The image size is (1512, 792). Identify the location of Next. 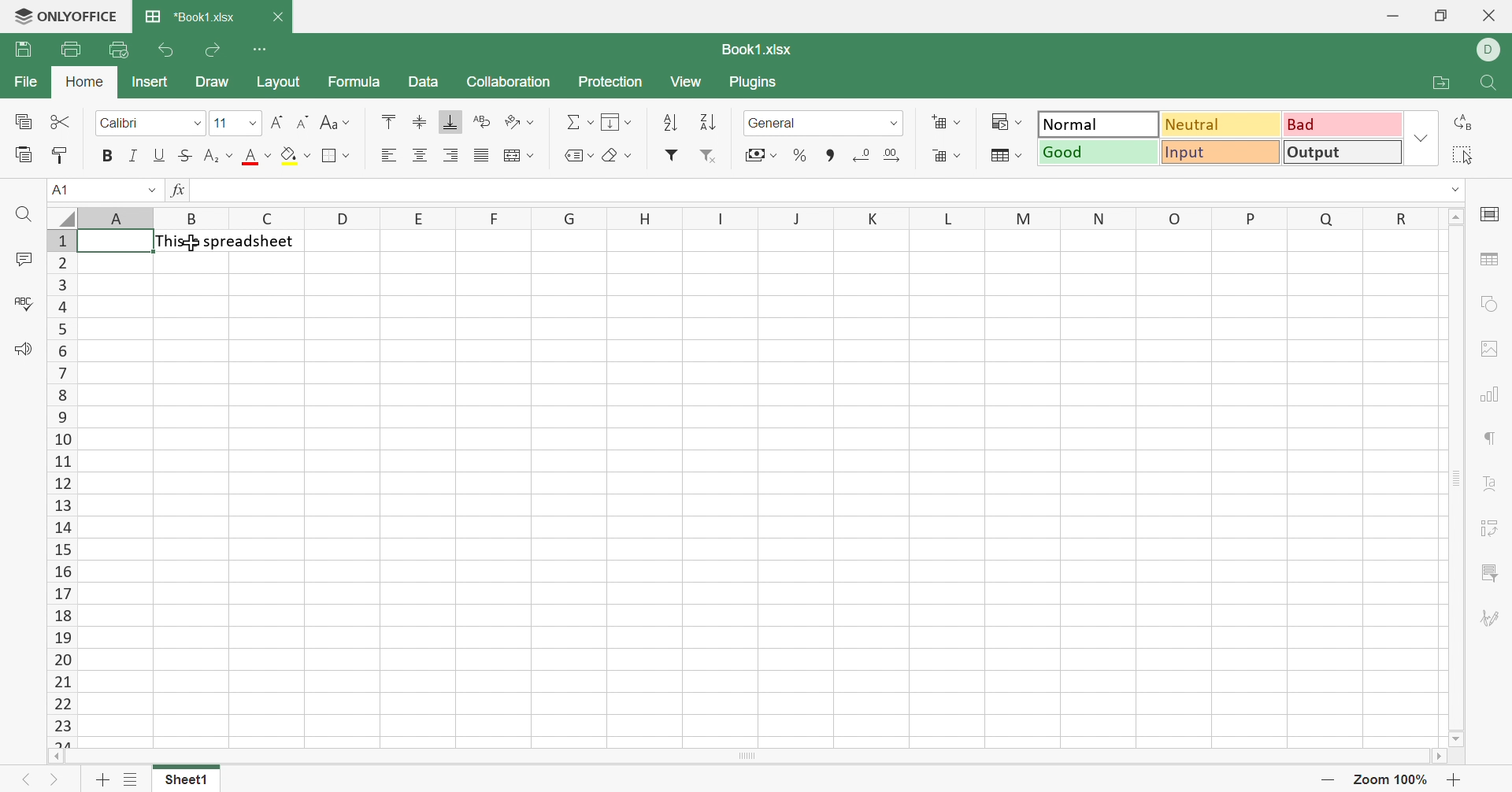
(54, 779).